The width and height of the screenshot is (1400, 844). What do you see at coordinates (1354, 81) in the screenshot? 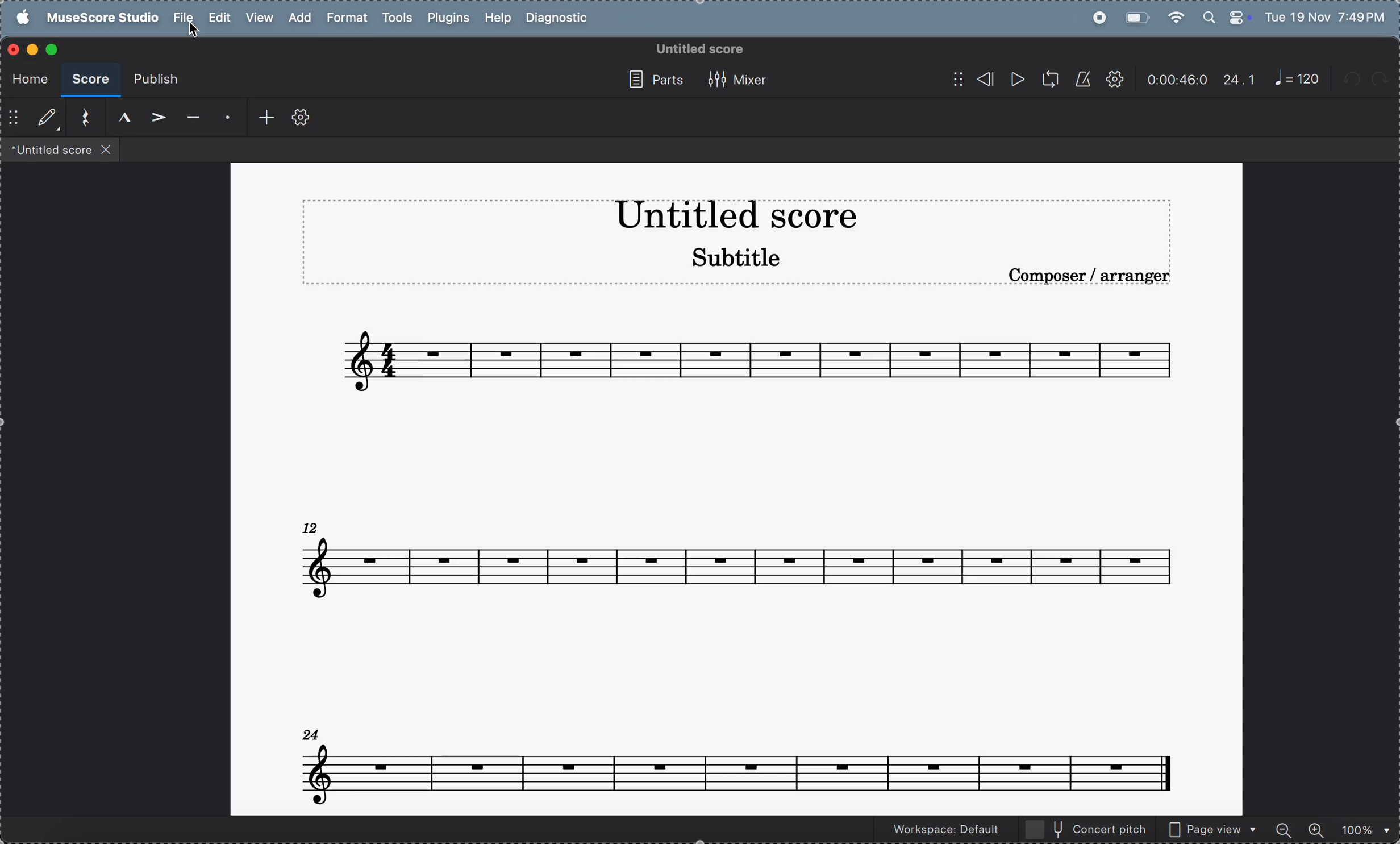
I see `undo` at bounding box center [1354, 81].